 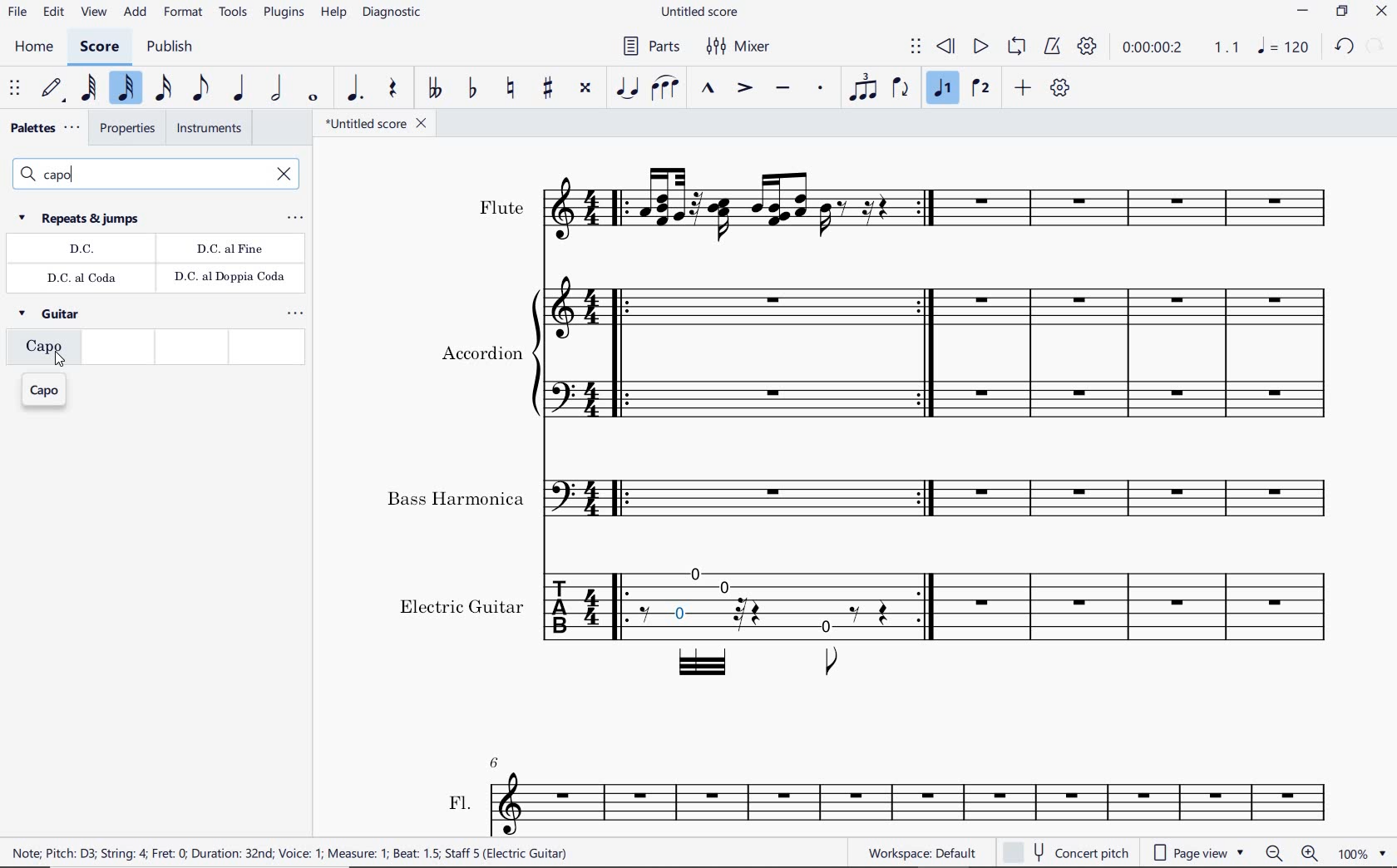 What do you see at coordinates (378, 125) in the screenshot?
I see `file name` at bounding box center [378, 125].